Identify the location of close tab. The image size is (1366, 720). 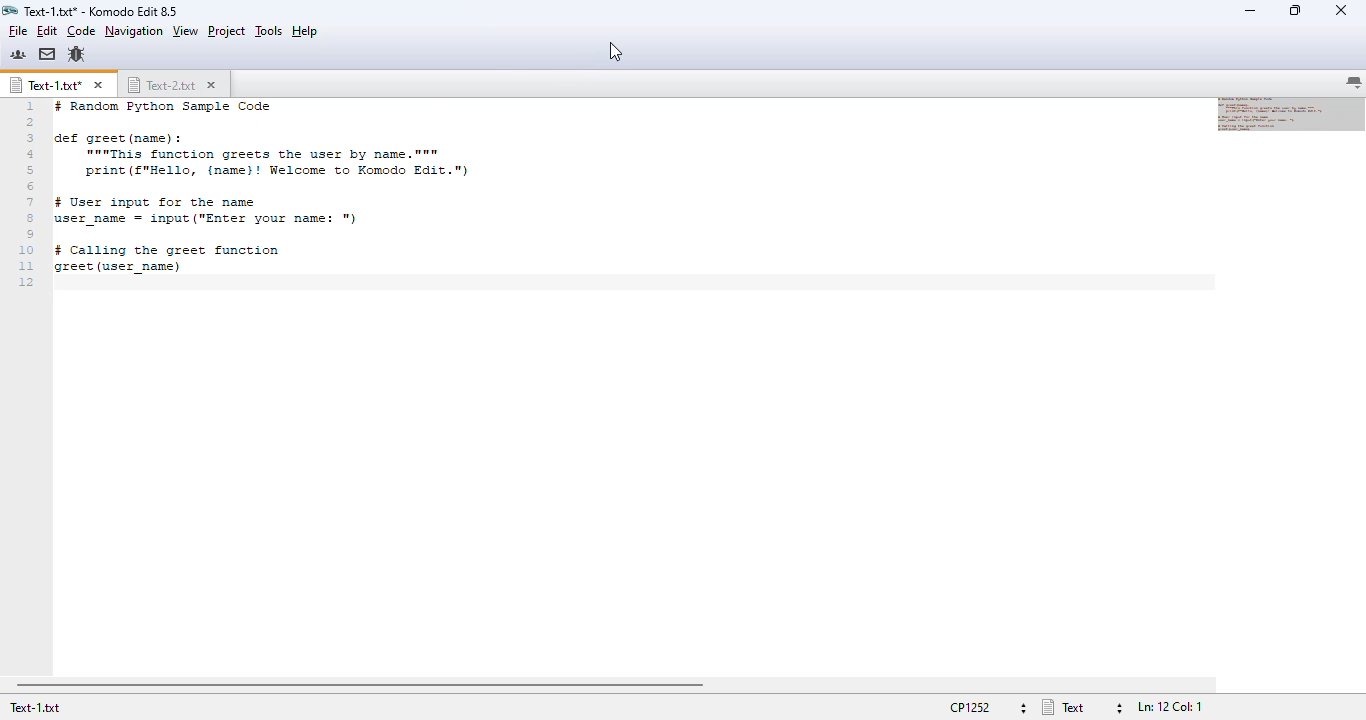
(97, 85).